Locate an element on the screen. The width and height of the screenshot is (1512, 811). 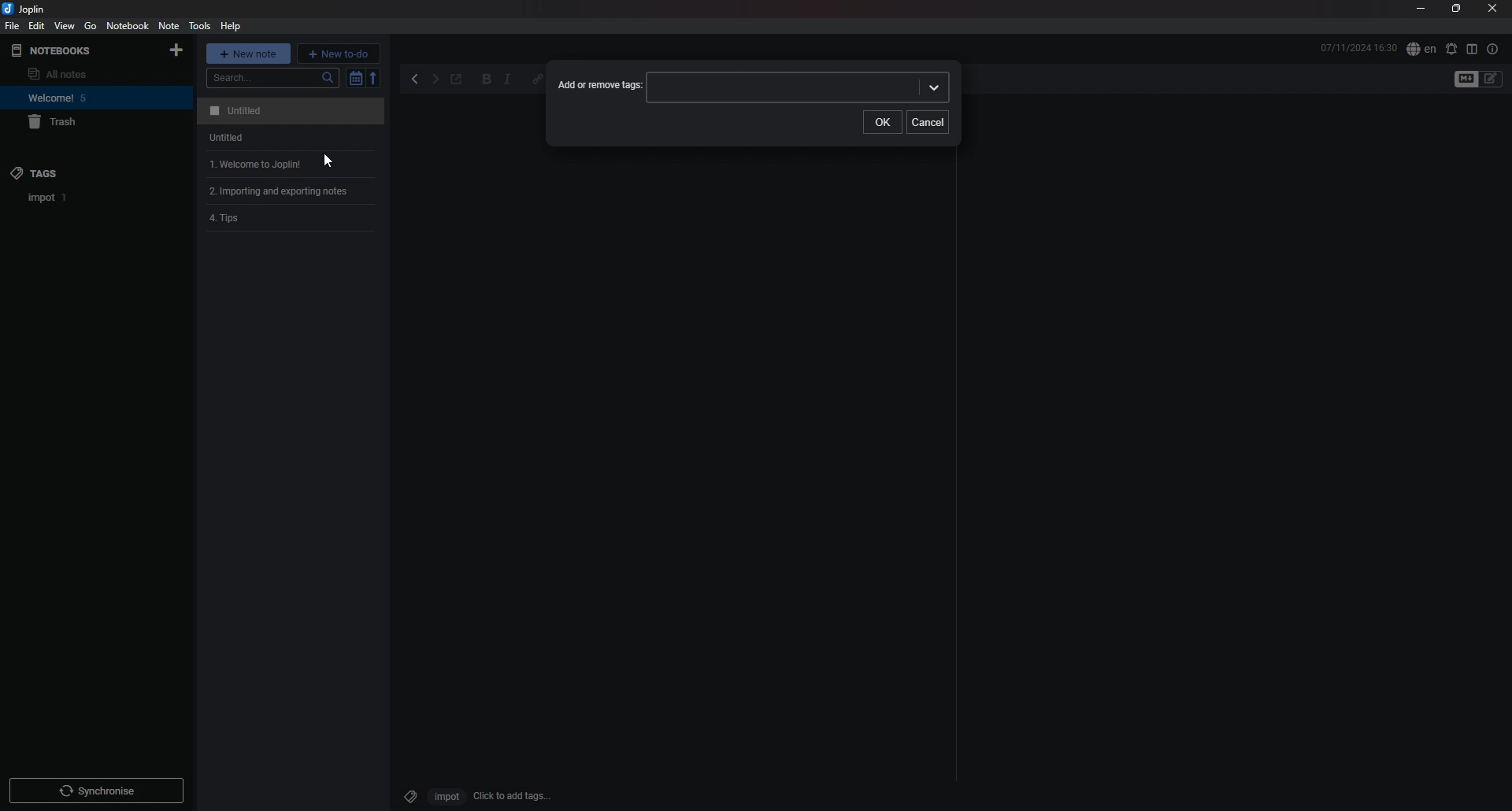
time and date is located at coordinates (1358, 47).